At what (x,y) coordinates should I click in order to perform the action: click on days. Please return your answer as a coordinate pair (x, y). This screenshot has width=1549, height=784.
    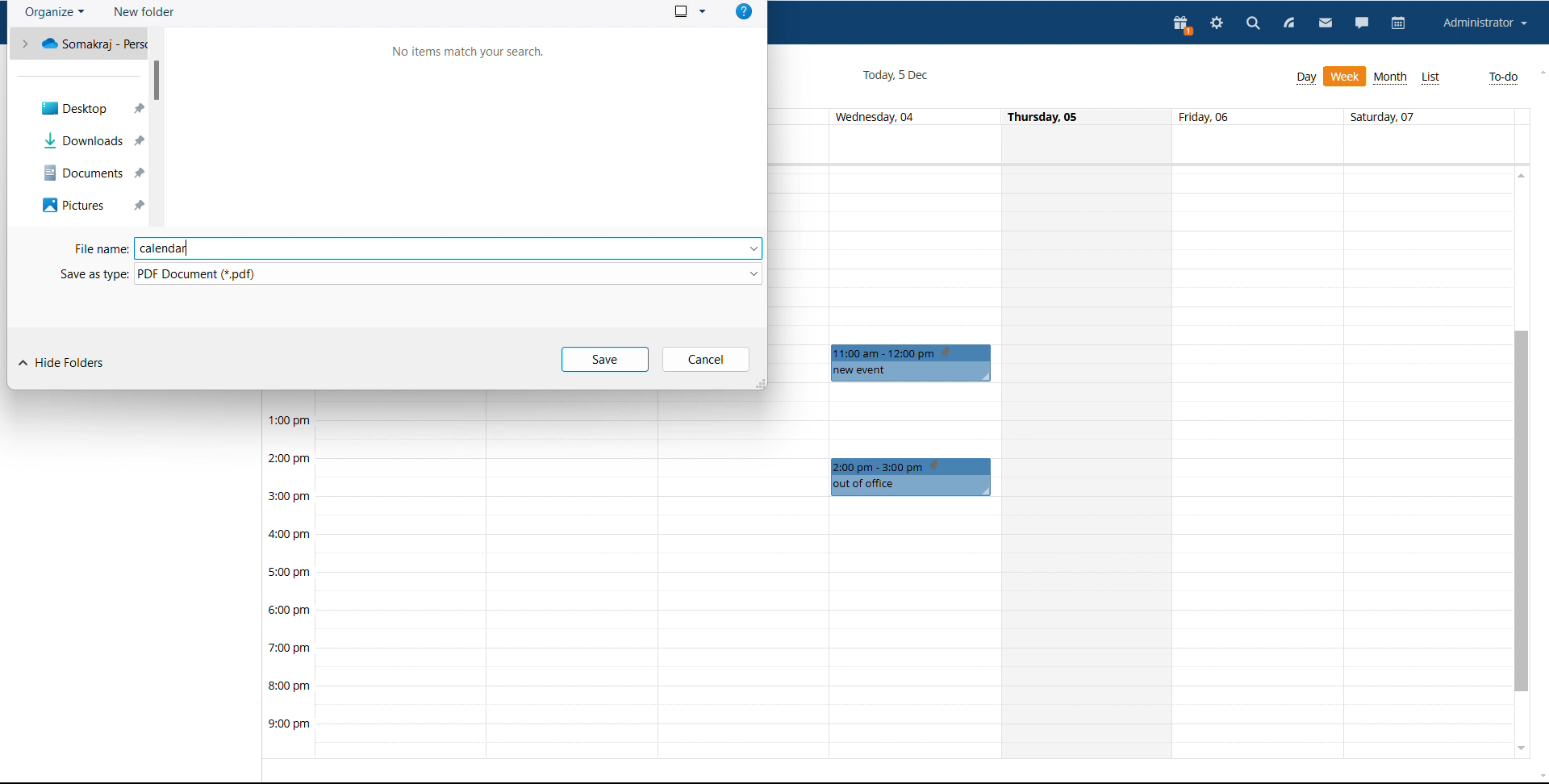
    Looking at the image, I should click on (1140, 117).